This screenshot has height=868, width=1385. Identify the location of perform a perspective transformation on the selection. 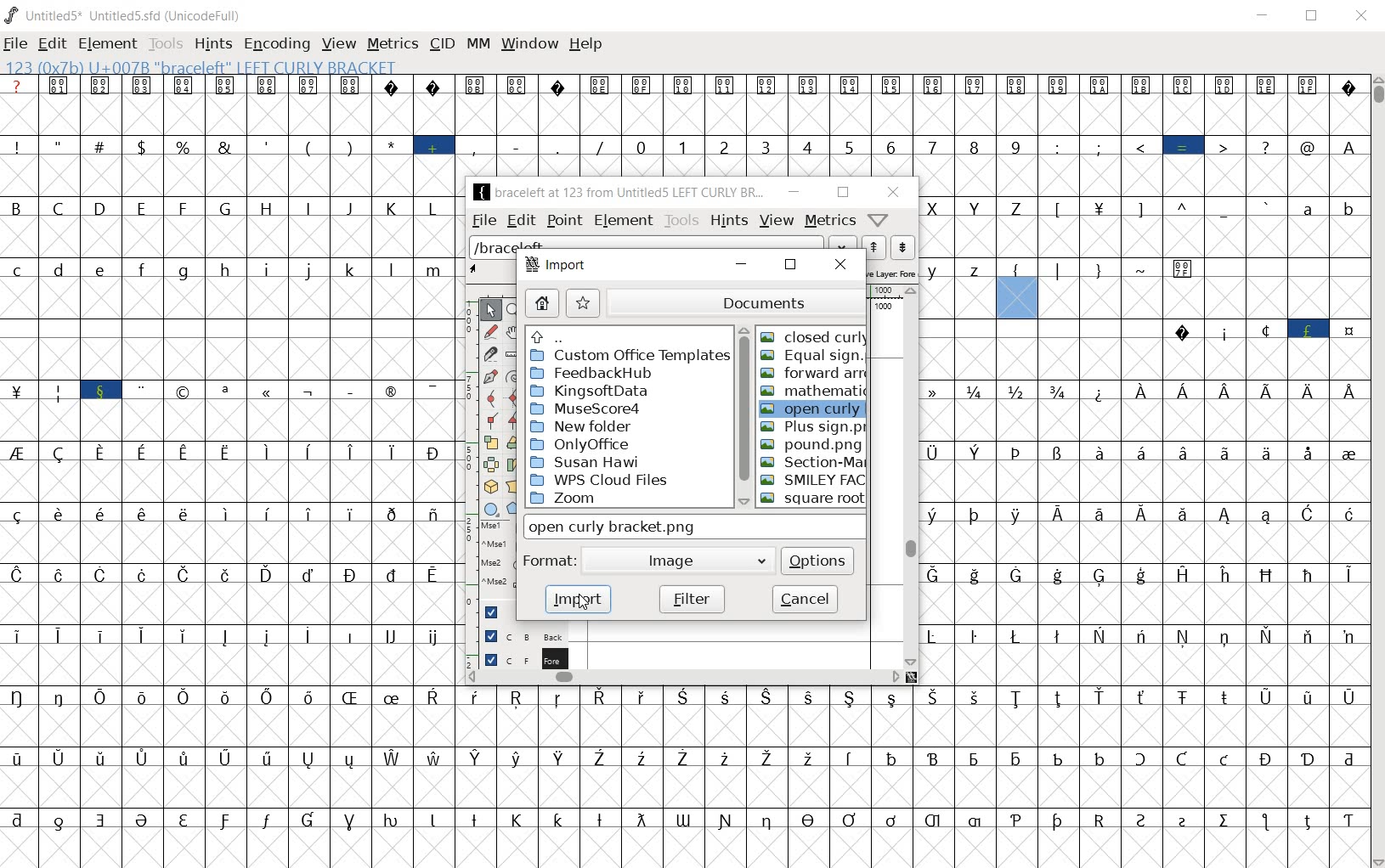
(514, 486).